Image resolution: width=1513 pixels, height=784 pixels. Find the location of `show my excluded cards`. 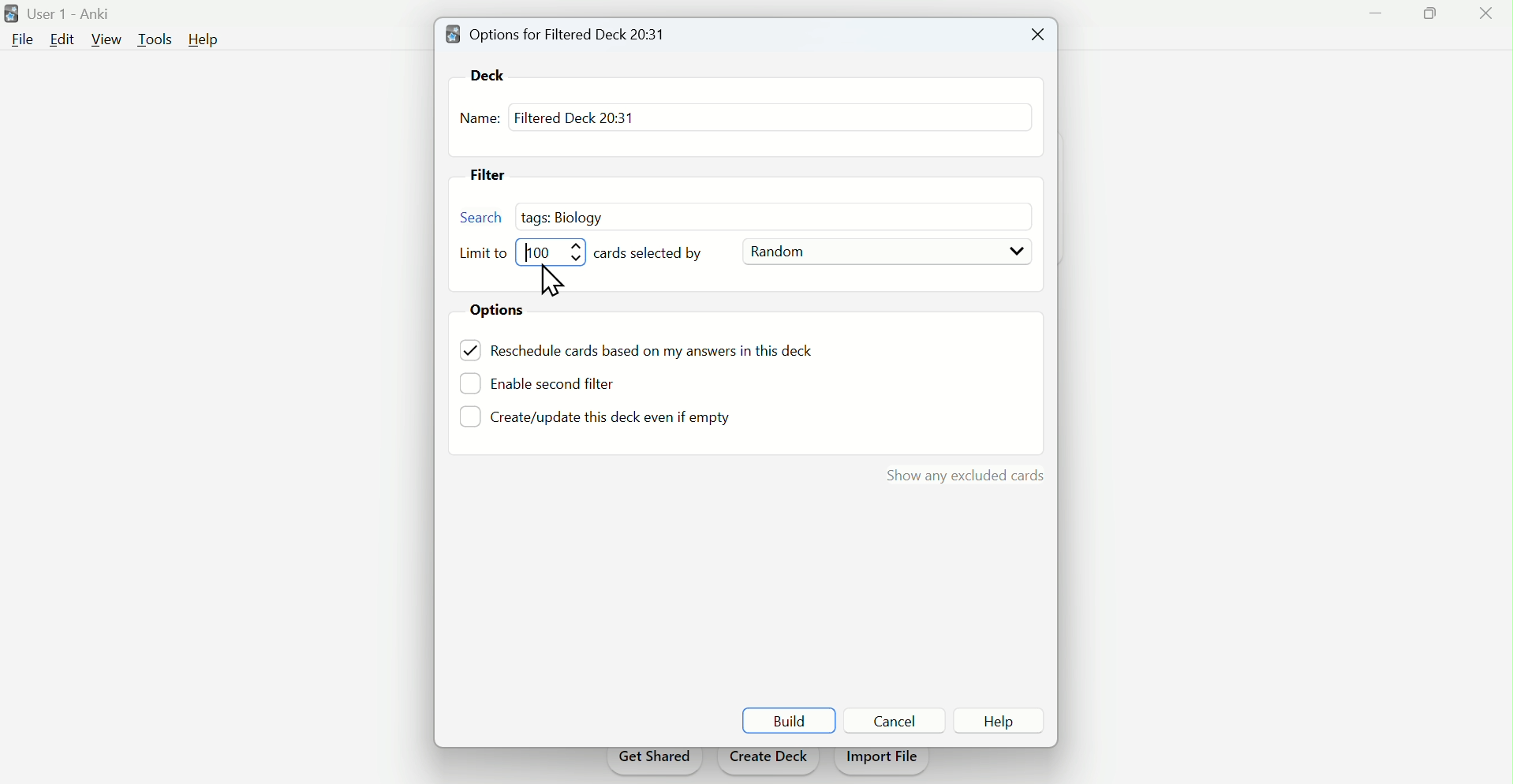

show my excluded cards is located at coordinates (962, 476).